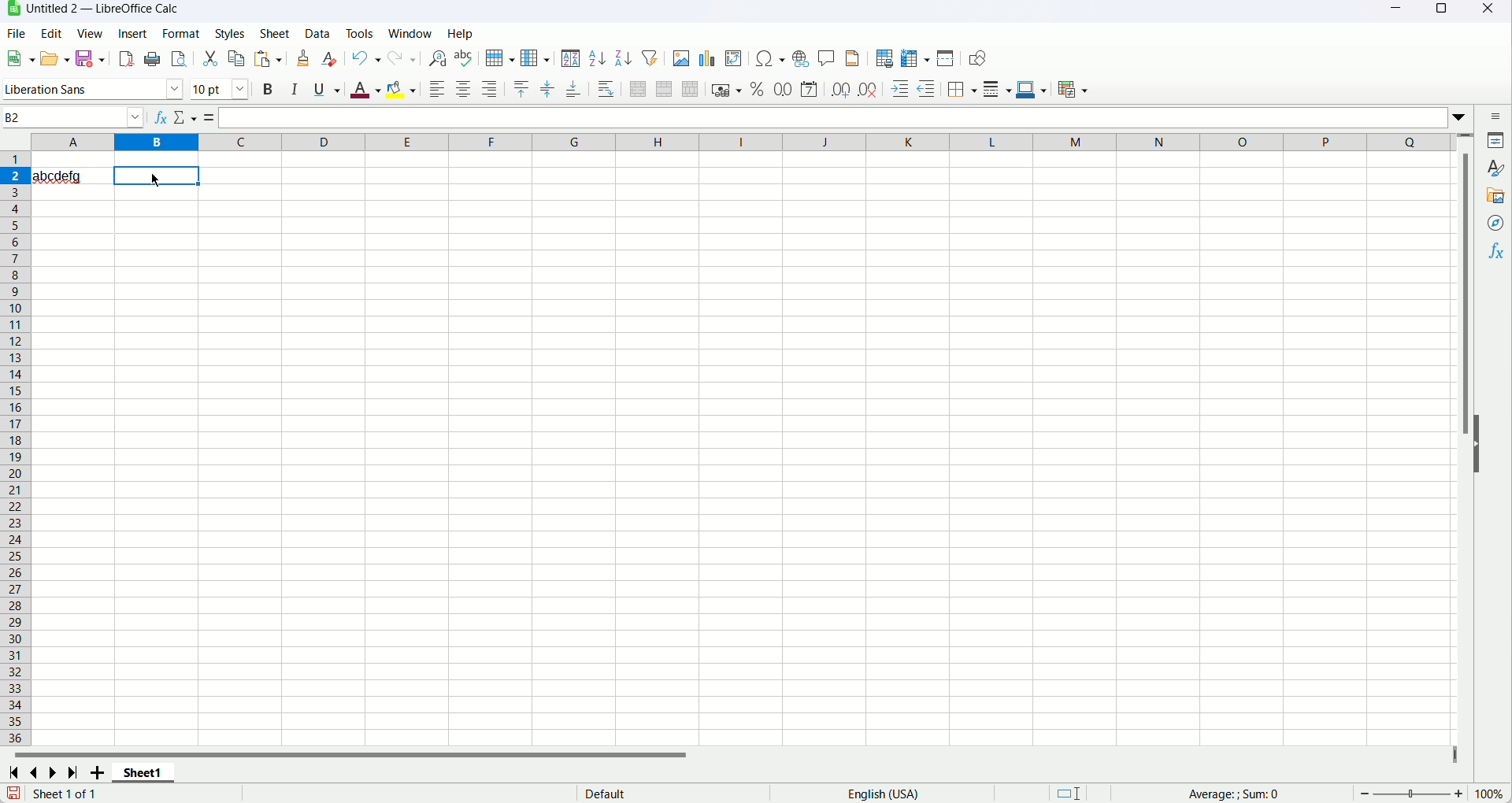 This screenshot has width=1512, height=803. Describe the element at coordinates (160, 117) in the screenshot. I see `function wizard` at that location.